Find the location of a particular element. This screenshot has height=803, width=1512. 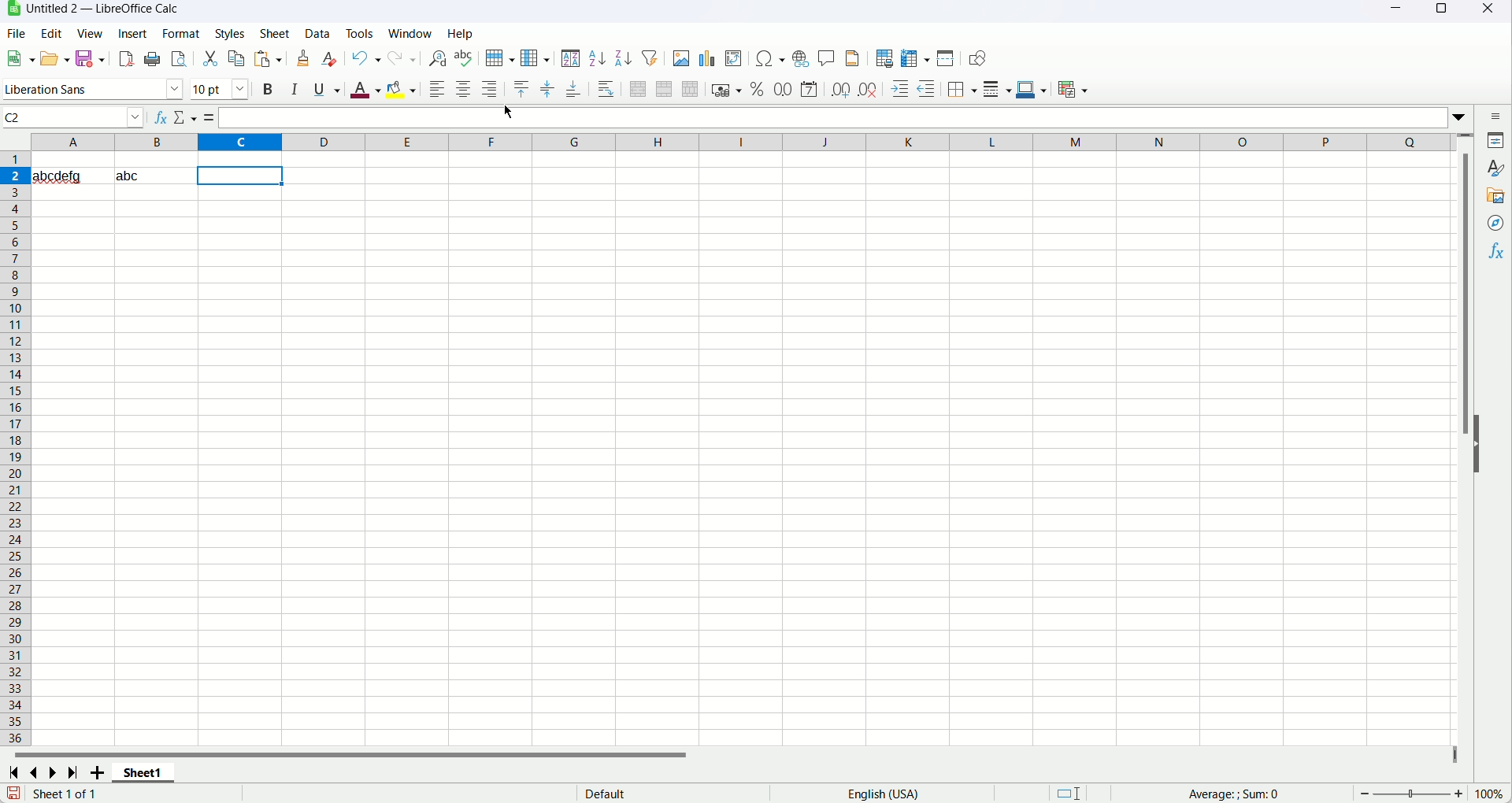

spelling is located at coordinates (463, 58).